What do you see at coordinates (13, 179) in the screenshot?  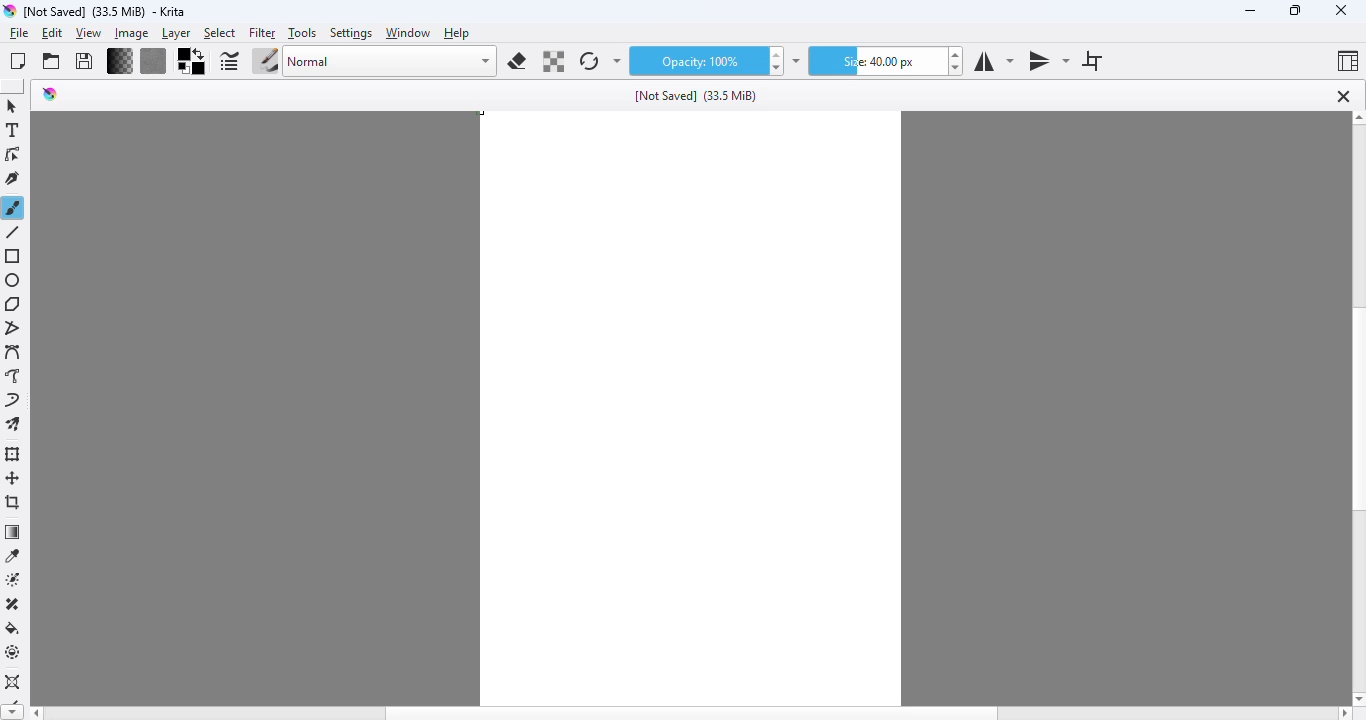 I see `calligraphy` at bounding box center [13, 179].